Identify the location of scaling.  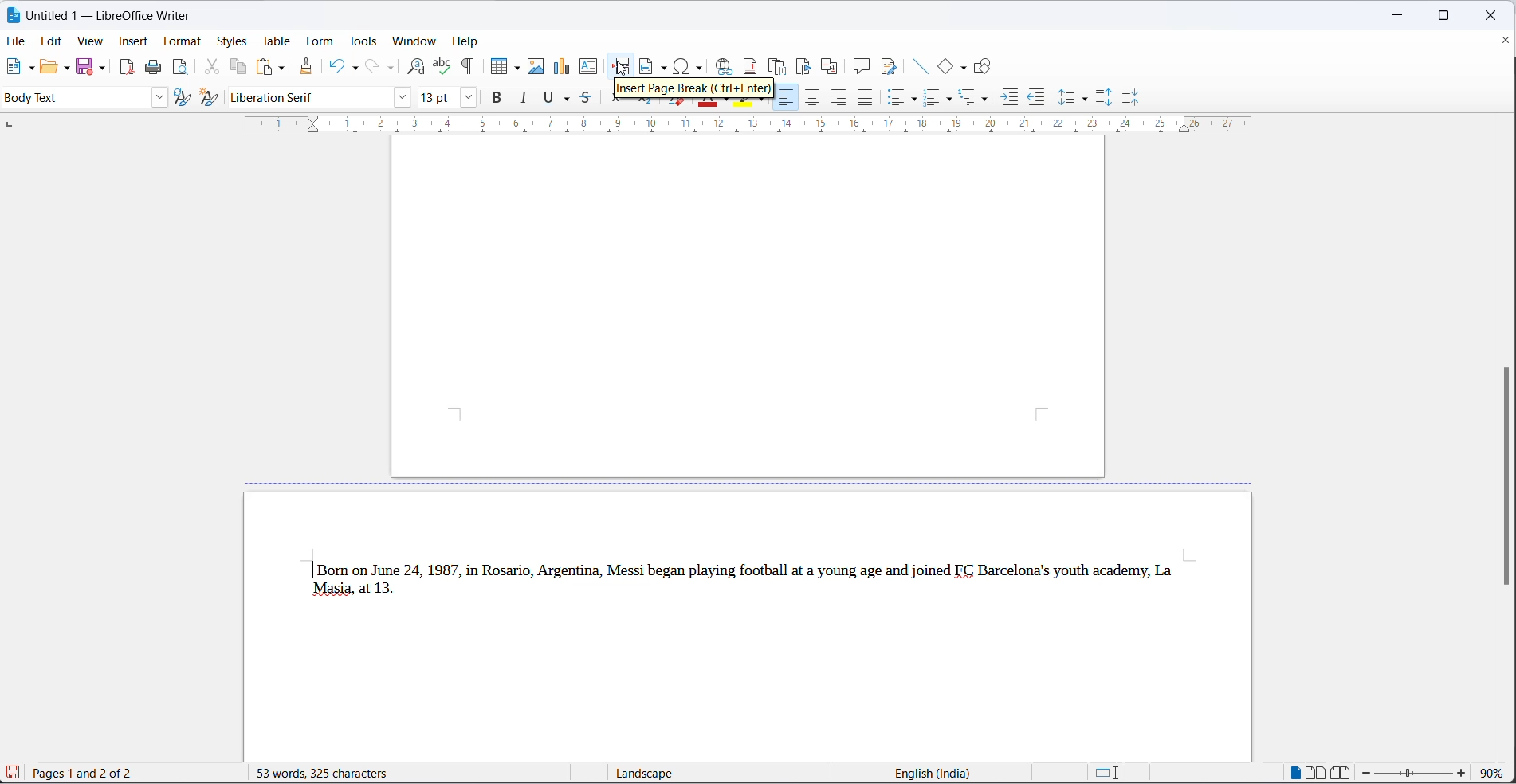
(748, 127).